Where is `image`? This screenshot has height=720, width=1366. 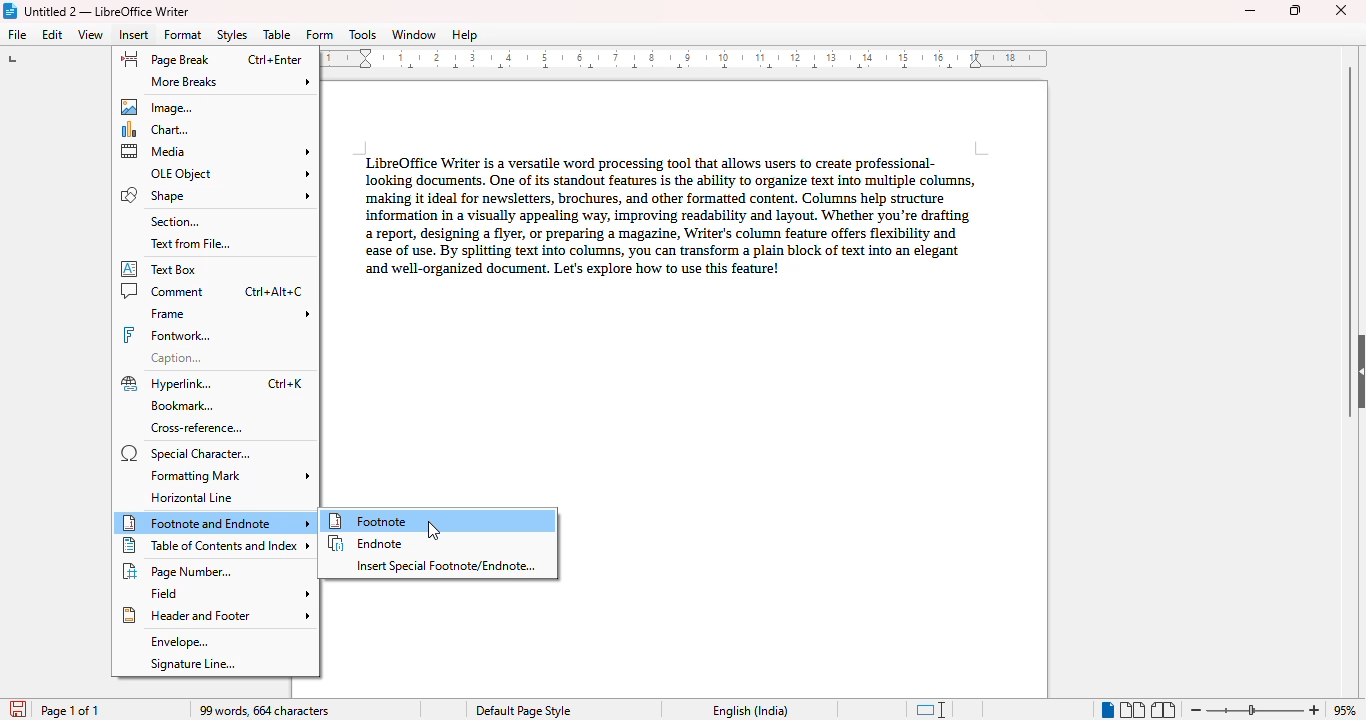
image is located at coordinates (155, 107).